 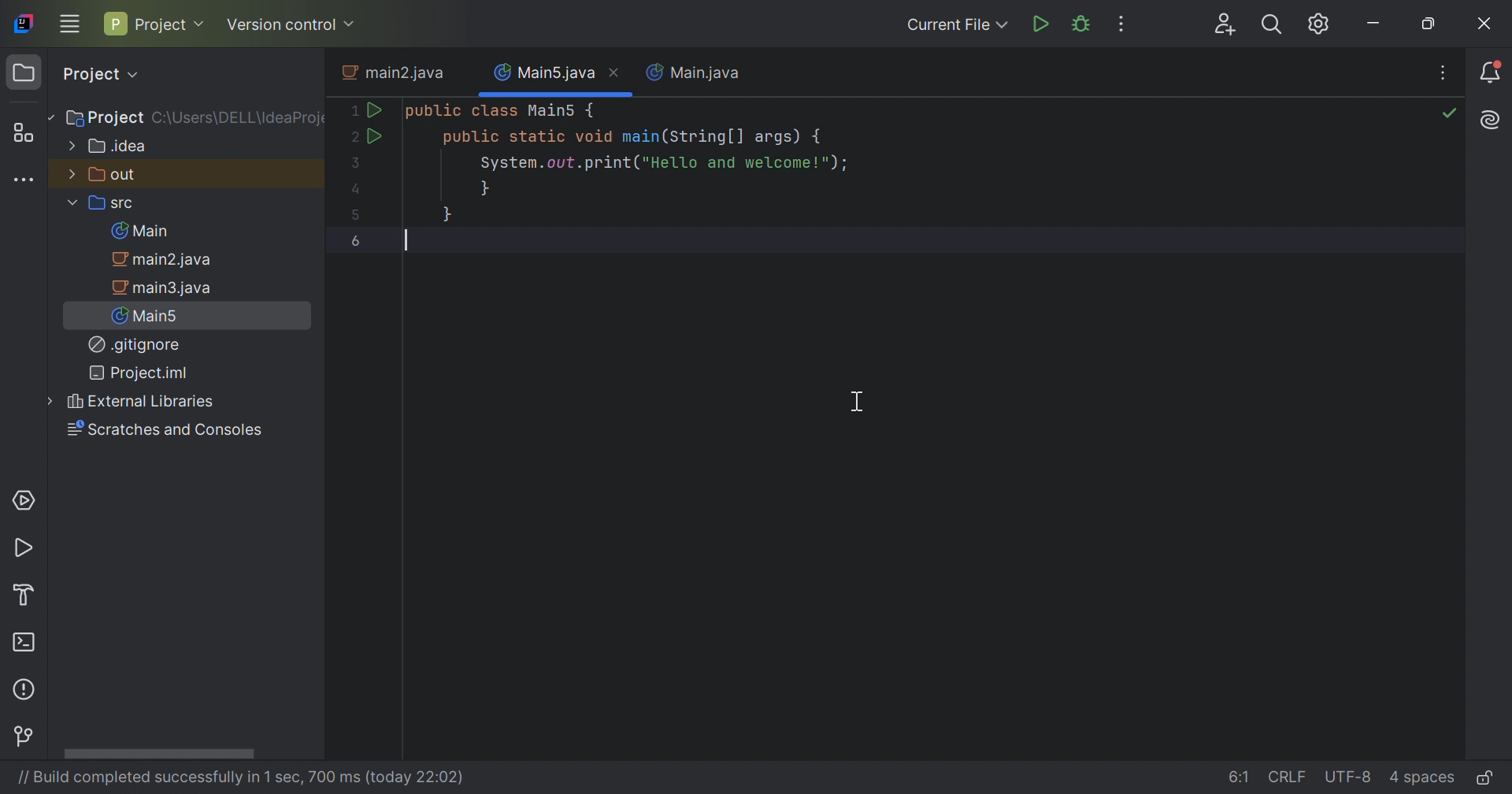 I want to click on .gitignore, so click(x=135, y=345).